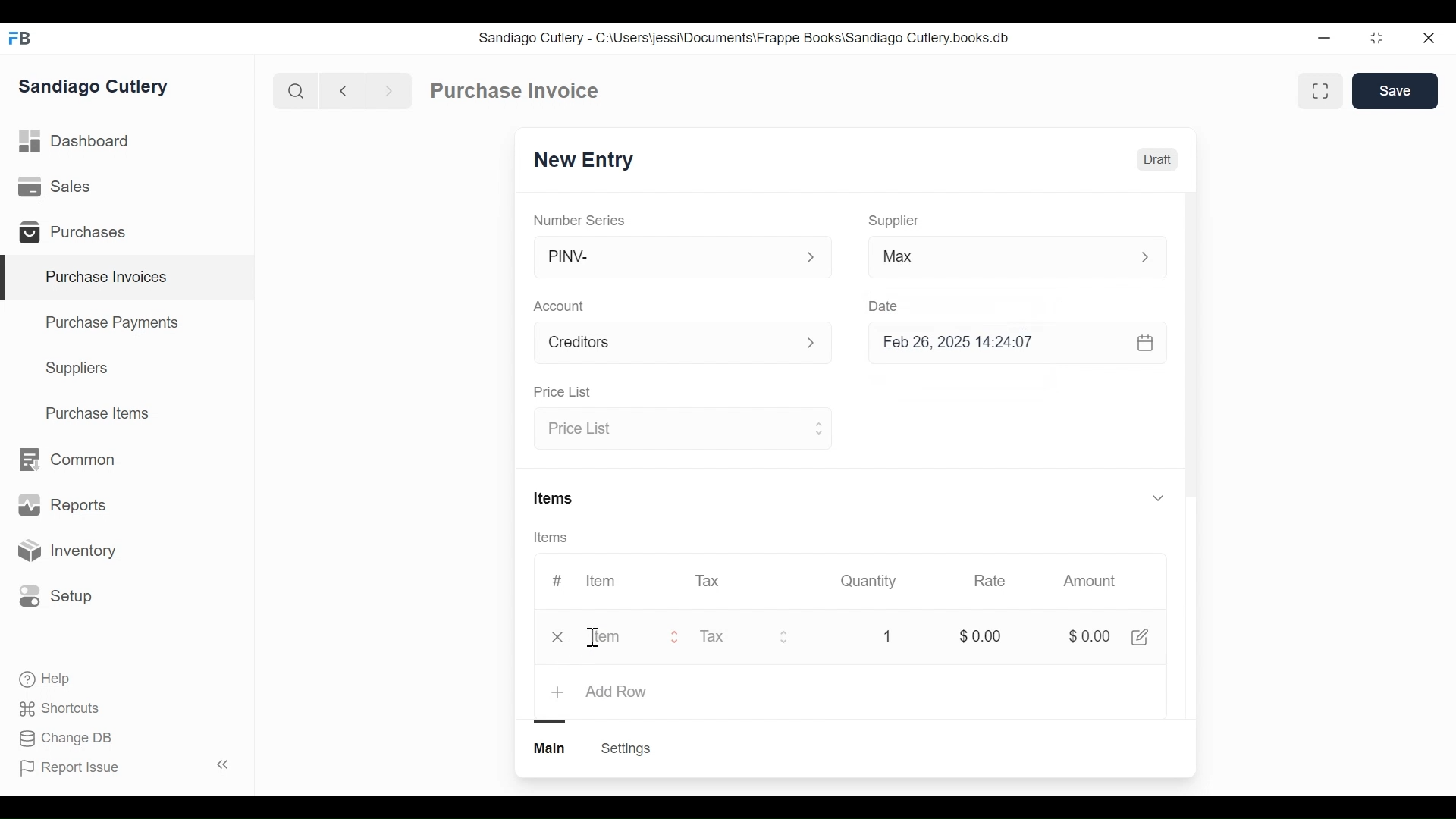 This screenshot has width=1456, height=819. Describe the element at coordinates (76, 142) in the screenshot. I see `Dashboard` at that location.